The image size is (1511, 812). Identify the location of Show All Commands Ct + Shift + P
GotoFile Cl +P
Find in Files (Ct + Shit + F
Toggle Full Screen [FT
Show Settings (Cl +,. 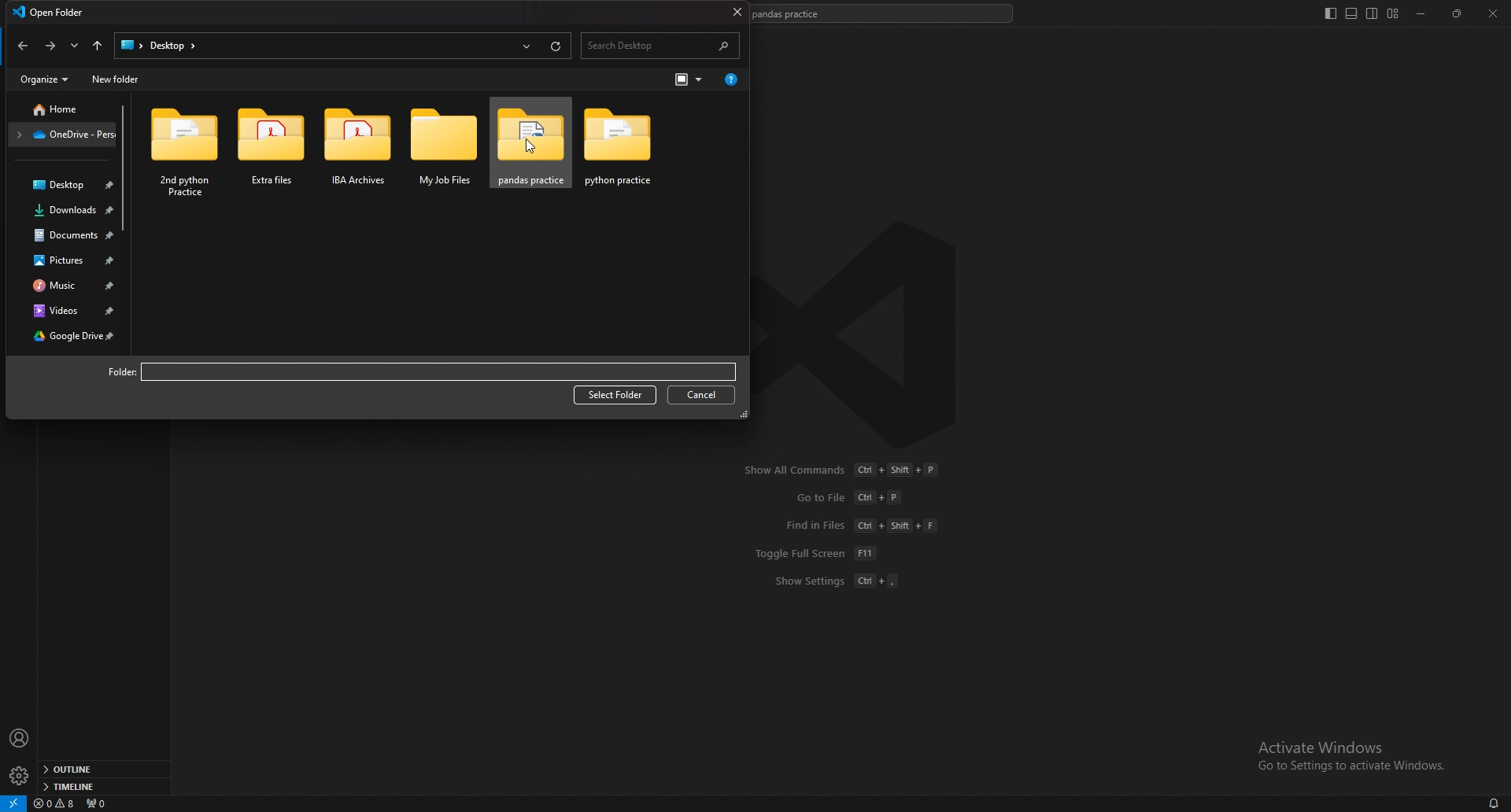
(844, 536).